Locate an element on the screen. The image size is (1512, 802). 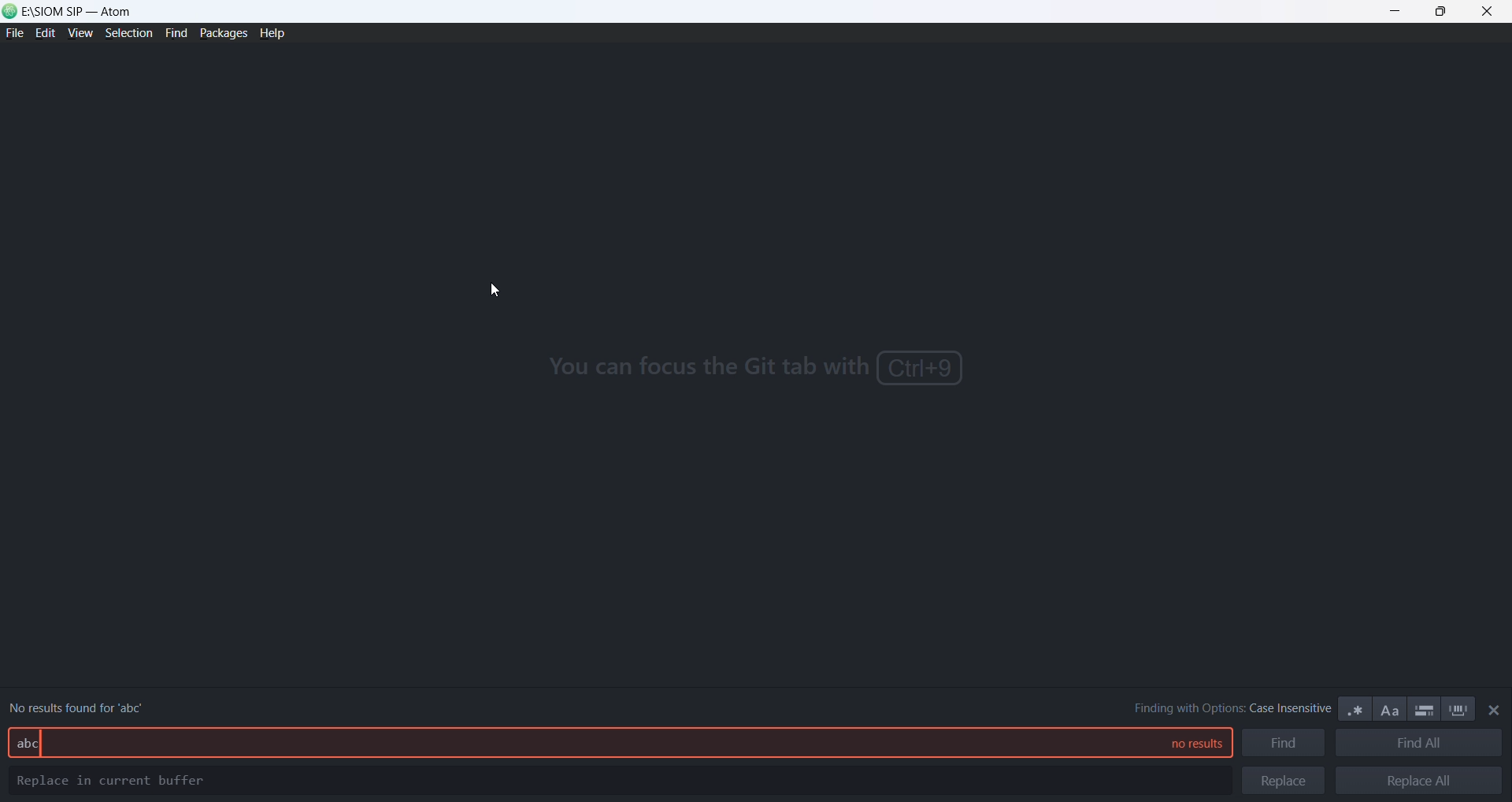
minimize is located at coordinates (1398, 13).